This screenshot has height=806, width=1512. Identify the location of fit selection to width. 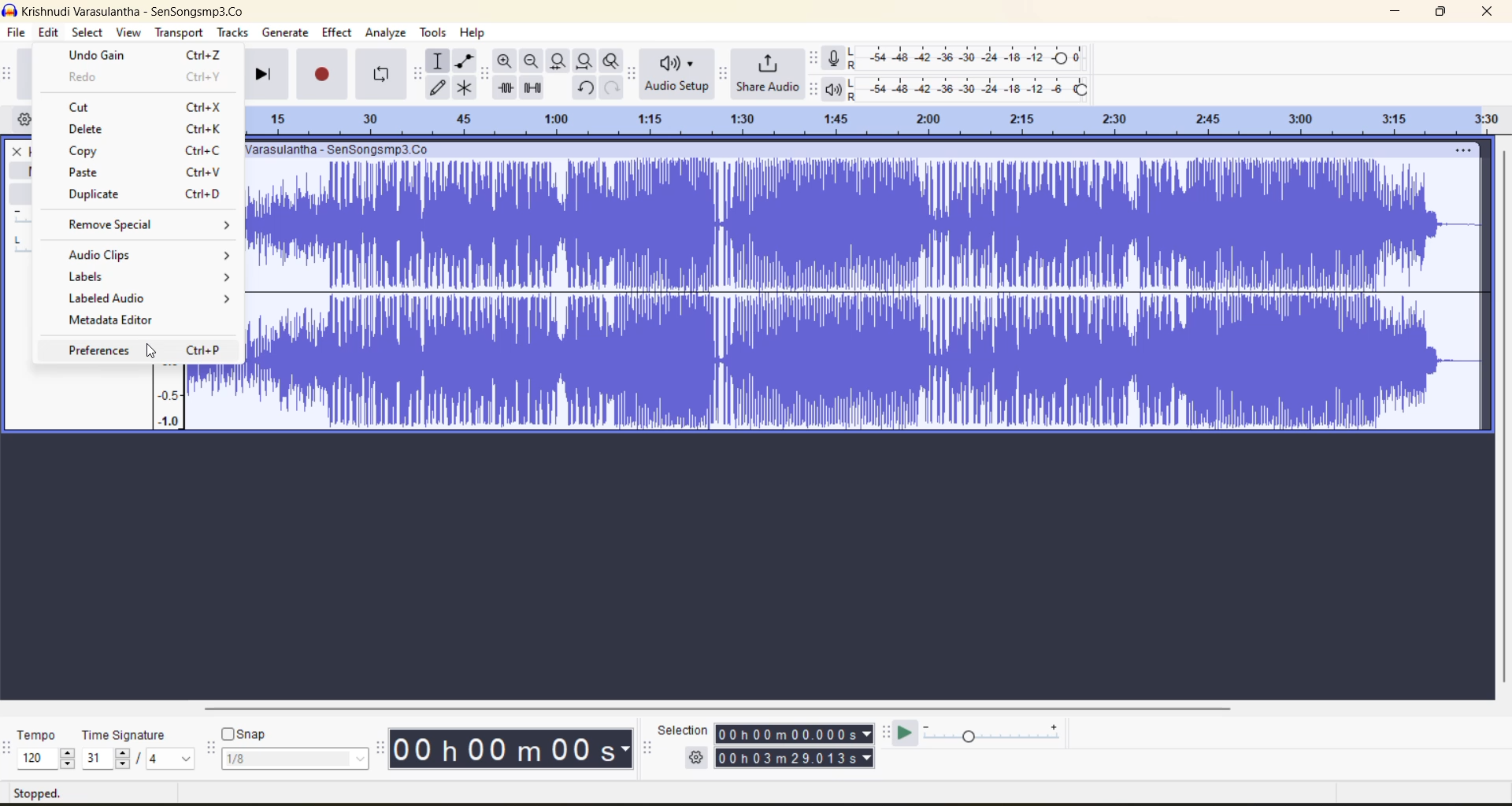
(557, 61).